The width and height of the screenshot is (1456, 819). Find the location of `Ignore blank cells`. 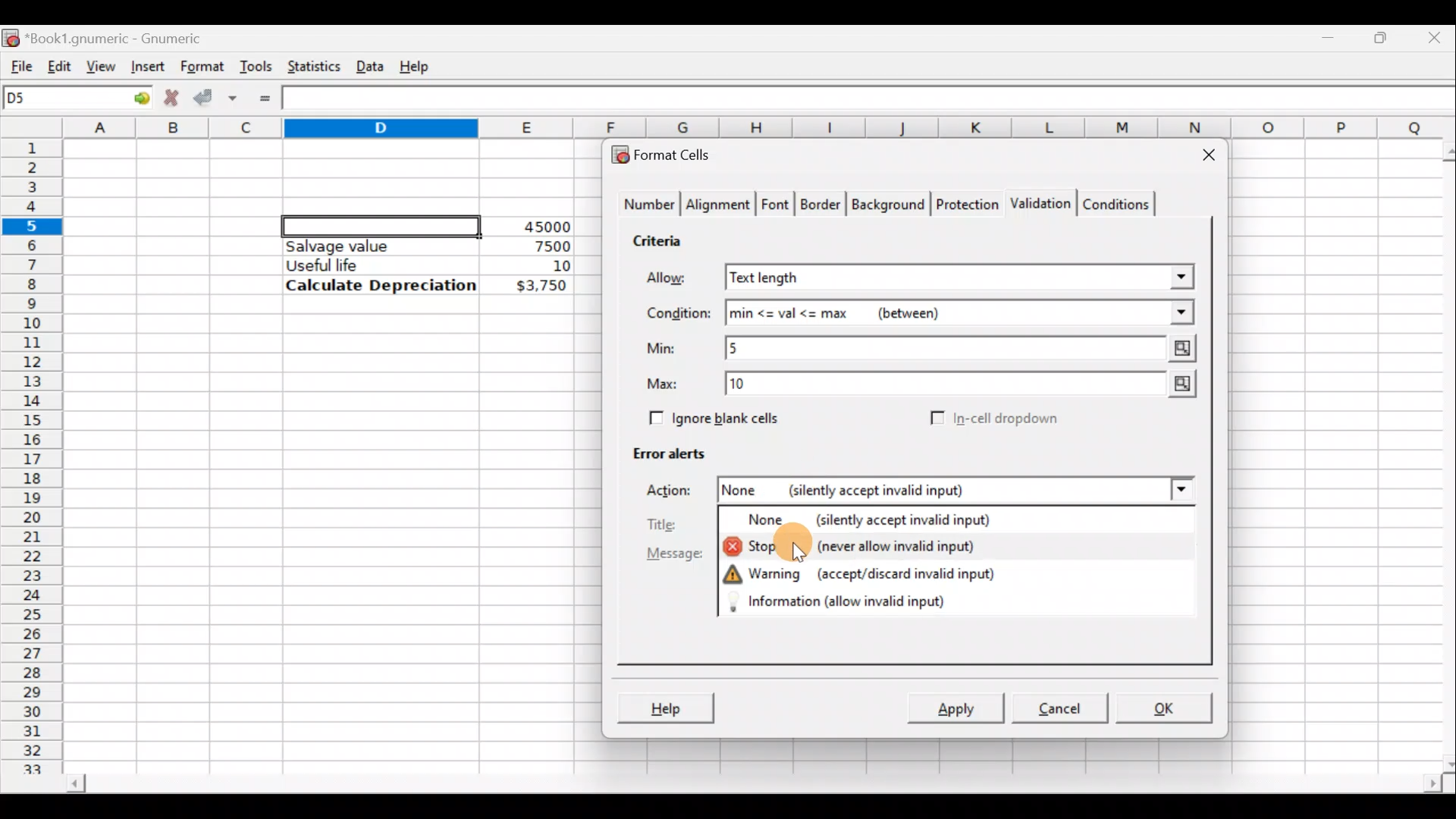

Ignore blank cells is located at coordinates (711, 416).